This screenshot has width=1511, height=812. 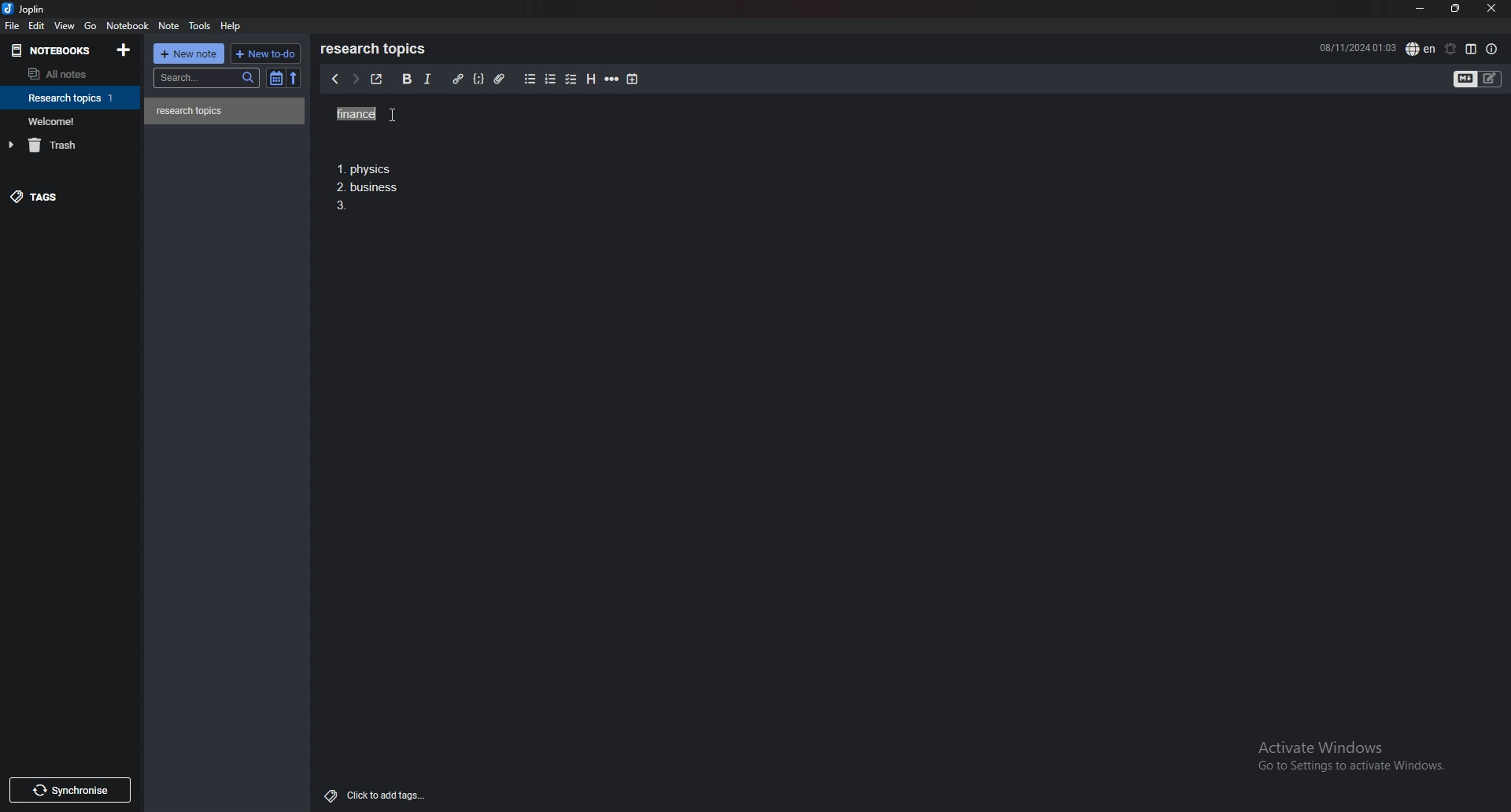 What do you see at coordinates (590, 79) in the screenshot?
I see `heading` at bounding box center [590, 79].